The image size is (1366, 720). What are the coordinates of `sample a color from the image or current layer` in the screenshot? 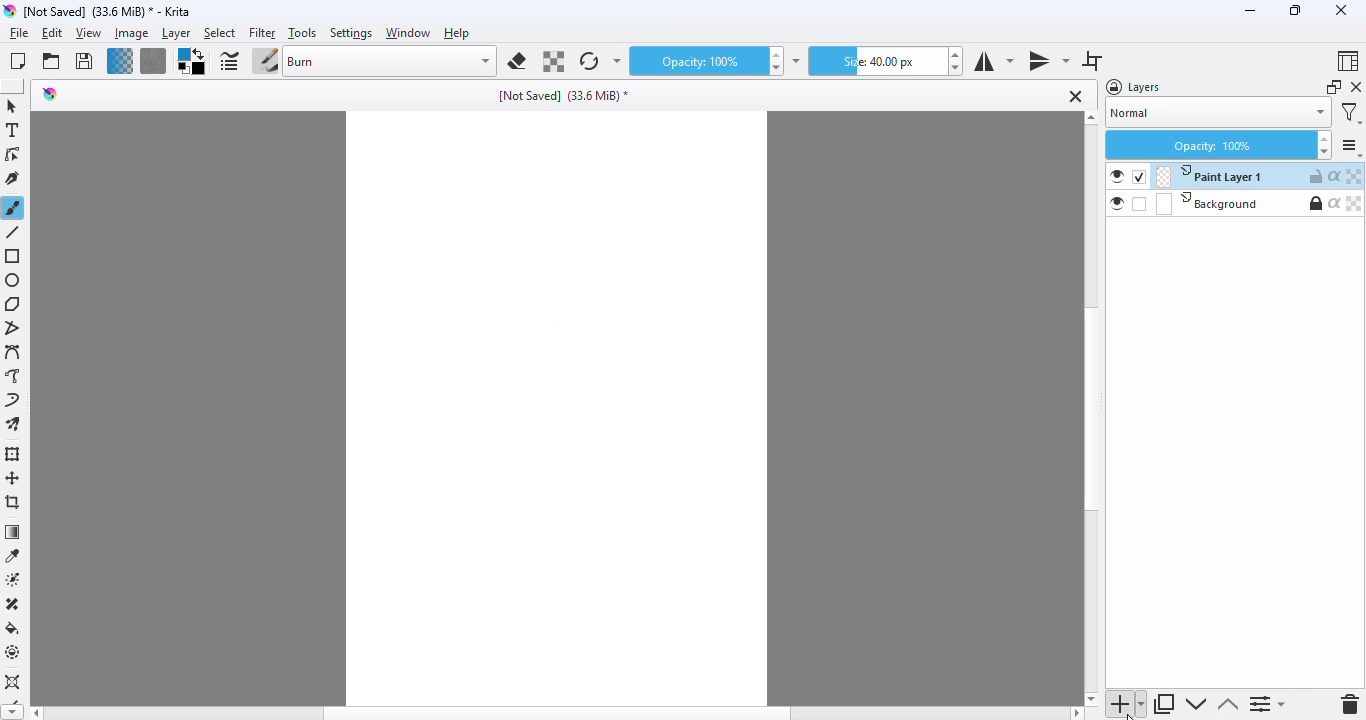 It's located at (13, 555).